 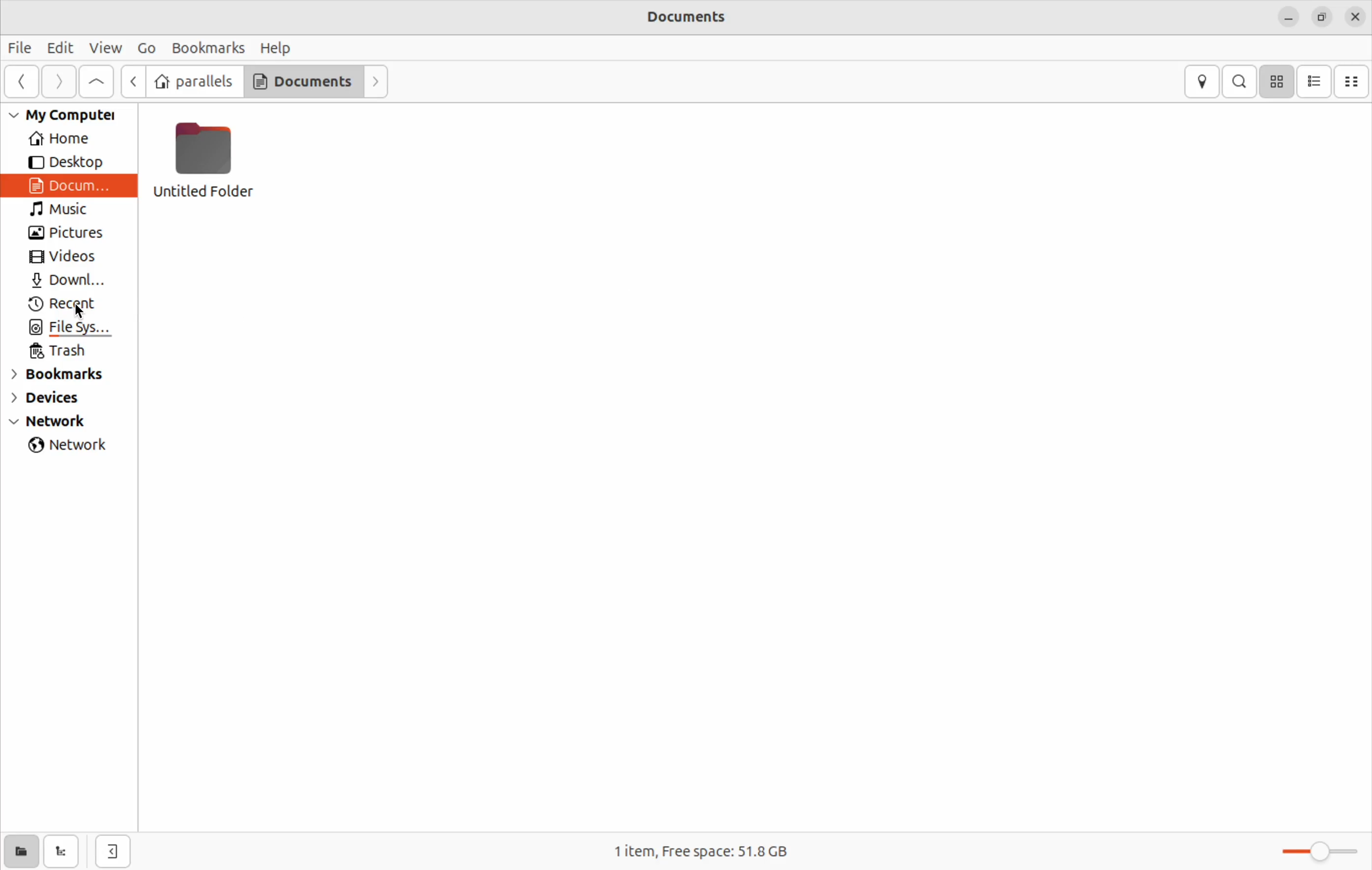 What do you see at coordinates (68, 257) in the screenshot?
I see `videos` at bounding box center [68, 257].